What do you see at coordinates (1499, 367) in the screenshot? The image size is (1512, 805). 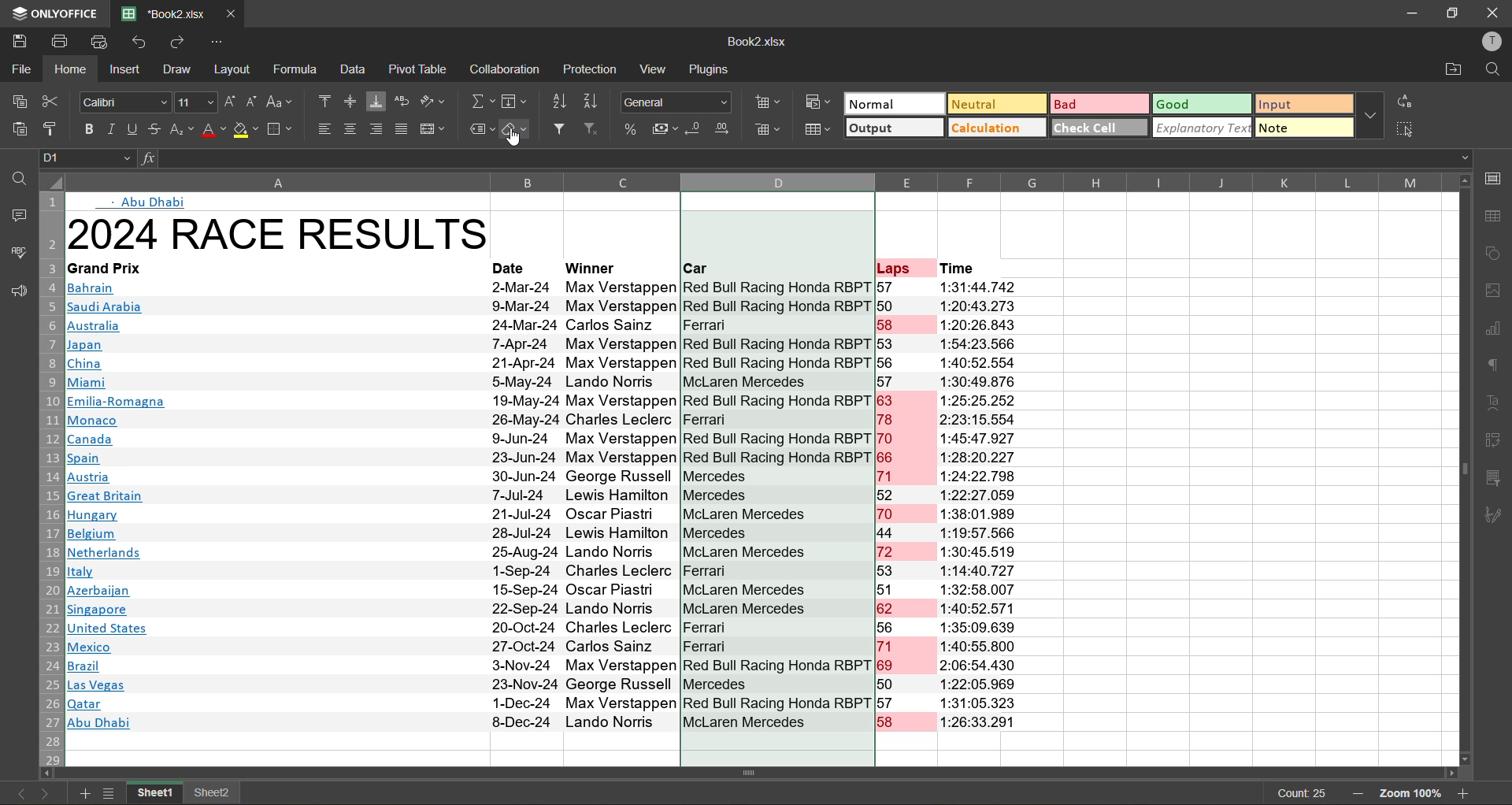 I see `paragraph` at bounding box center [1499, 367].